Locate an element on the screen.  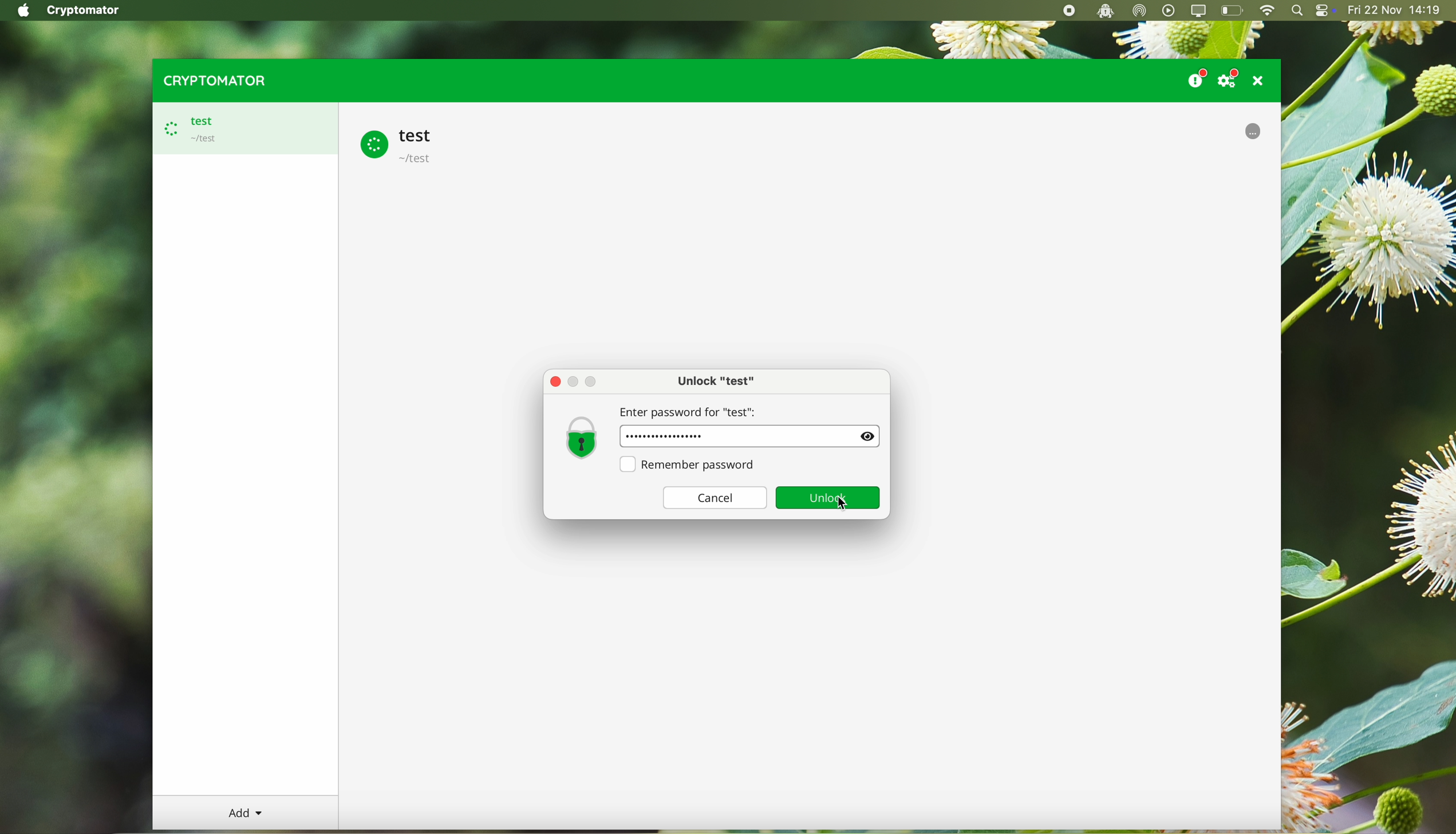
unlock test is located at coordinates (719, 381).